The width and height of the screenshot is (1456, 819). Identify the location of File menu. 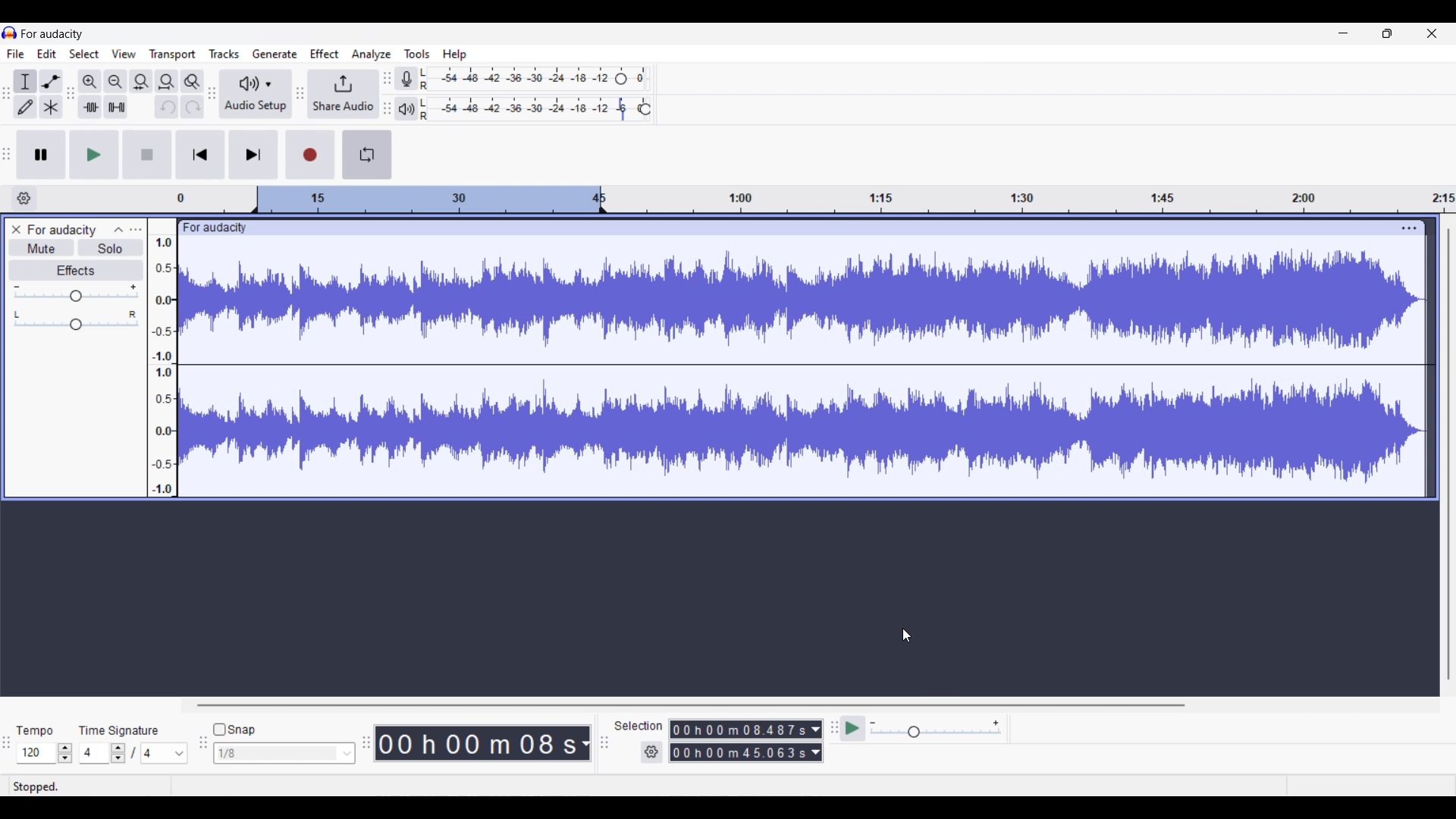
(16, 53).